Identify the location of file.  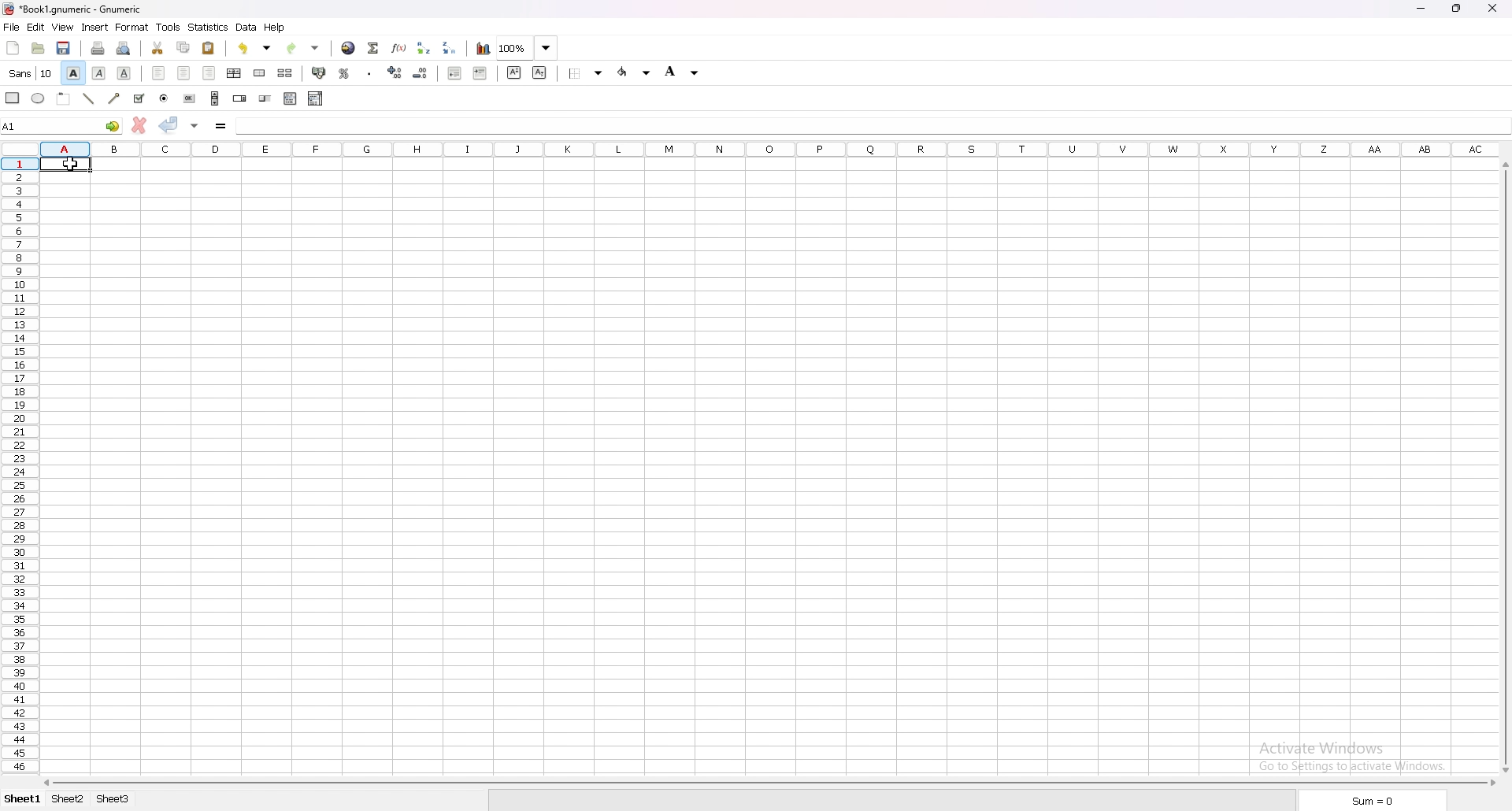
(11, 28).